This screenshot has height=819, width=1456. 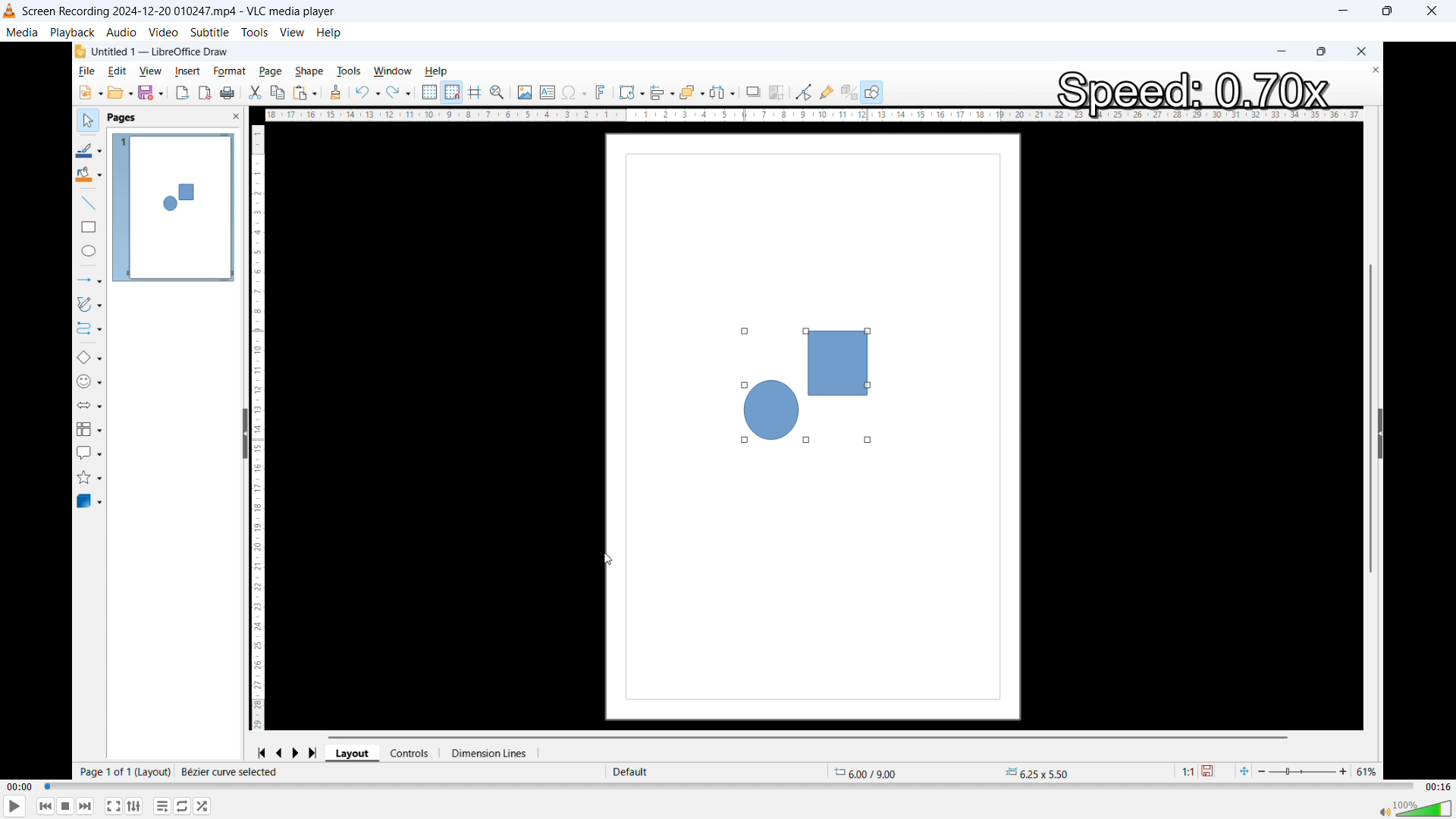 I want to click on Sound bar, so click(x=1415, y=808).